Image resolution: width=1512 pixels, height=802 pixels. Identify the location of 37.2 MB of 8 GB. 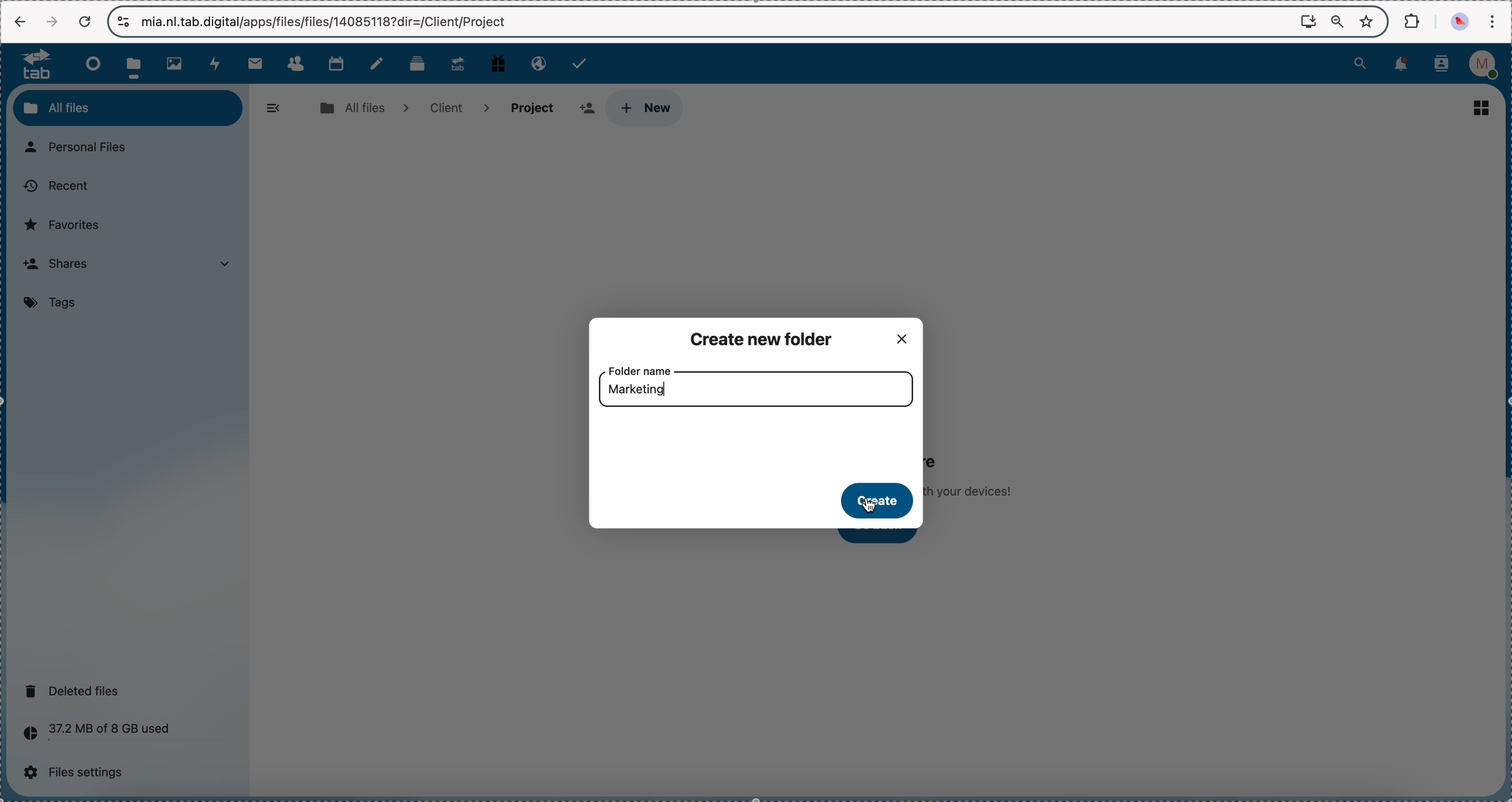
(93, 735).